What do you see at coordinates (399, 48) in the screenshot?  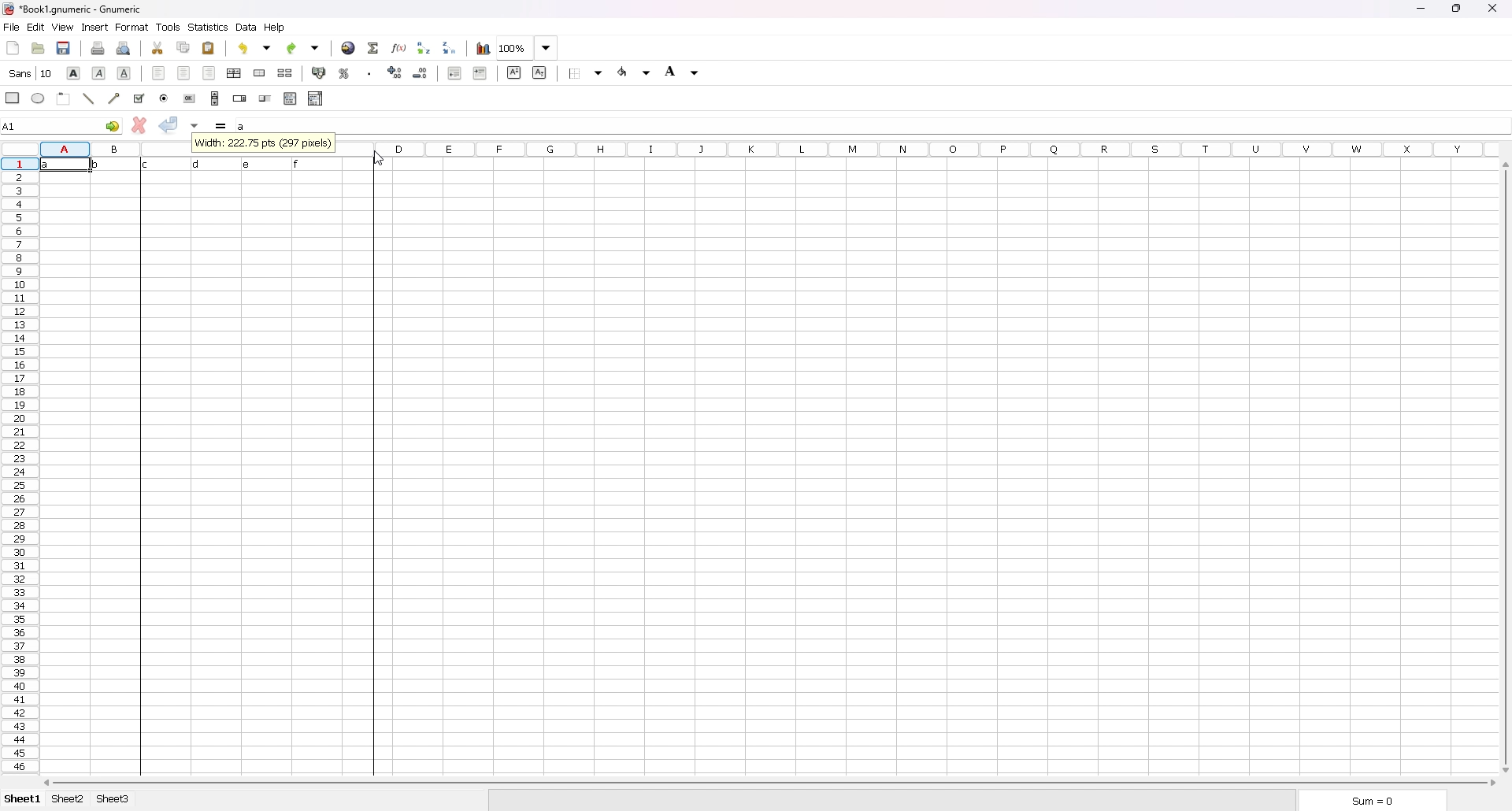 I see `function` at bounding box center [399, 48].